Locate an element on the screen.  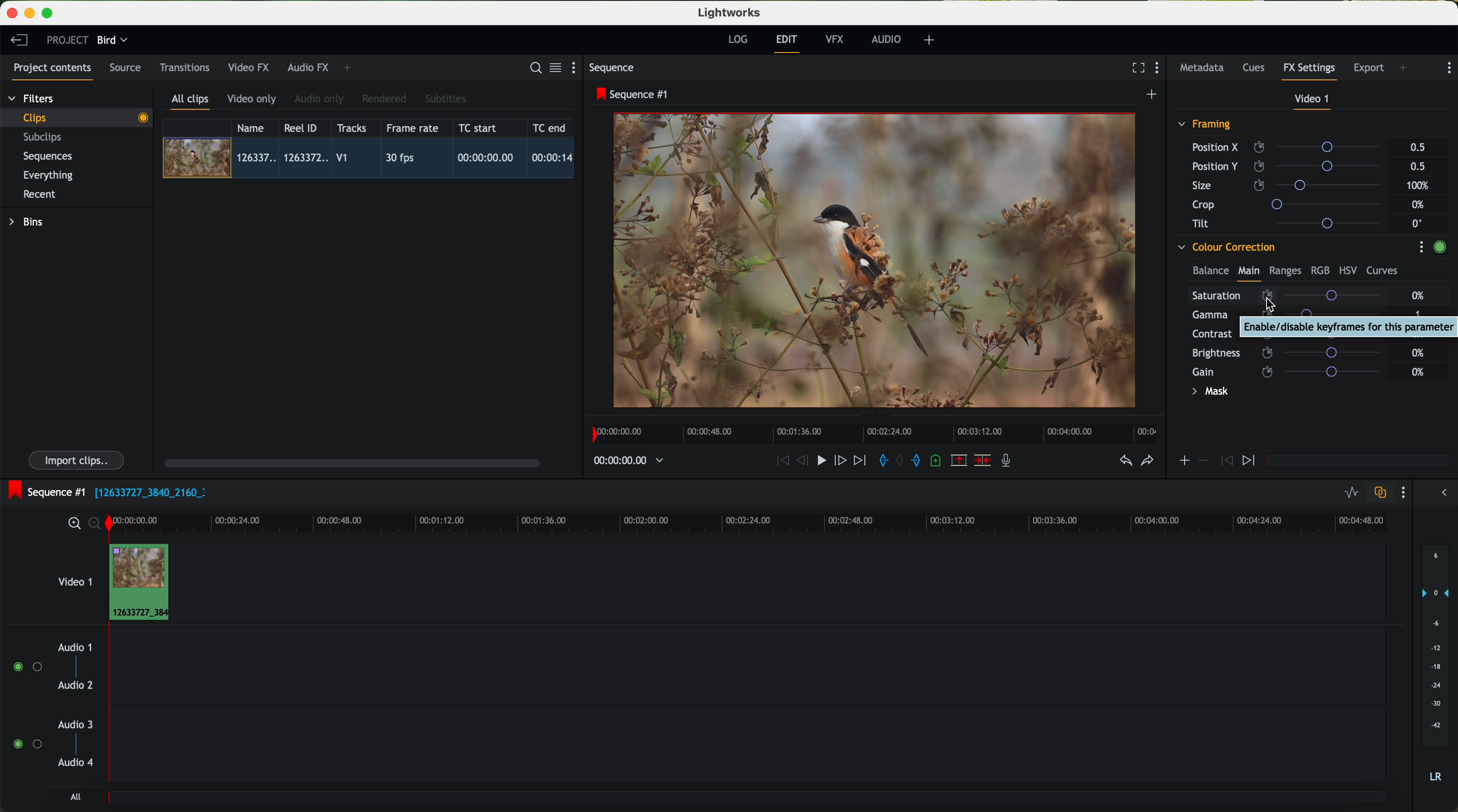
clips is located at coordinates (77, 117).